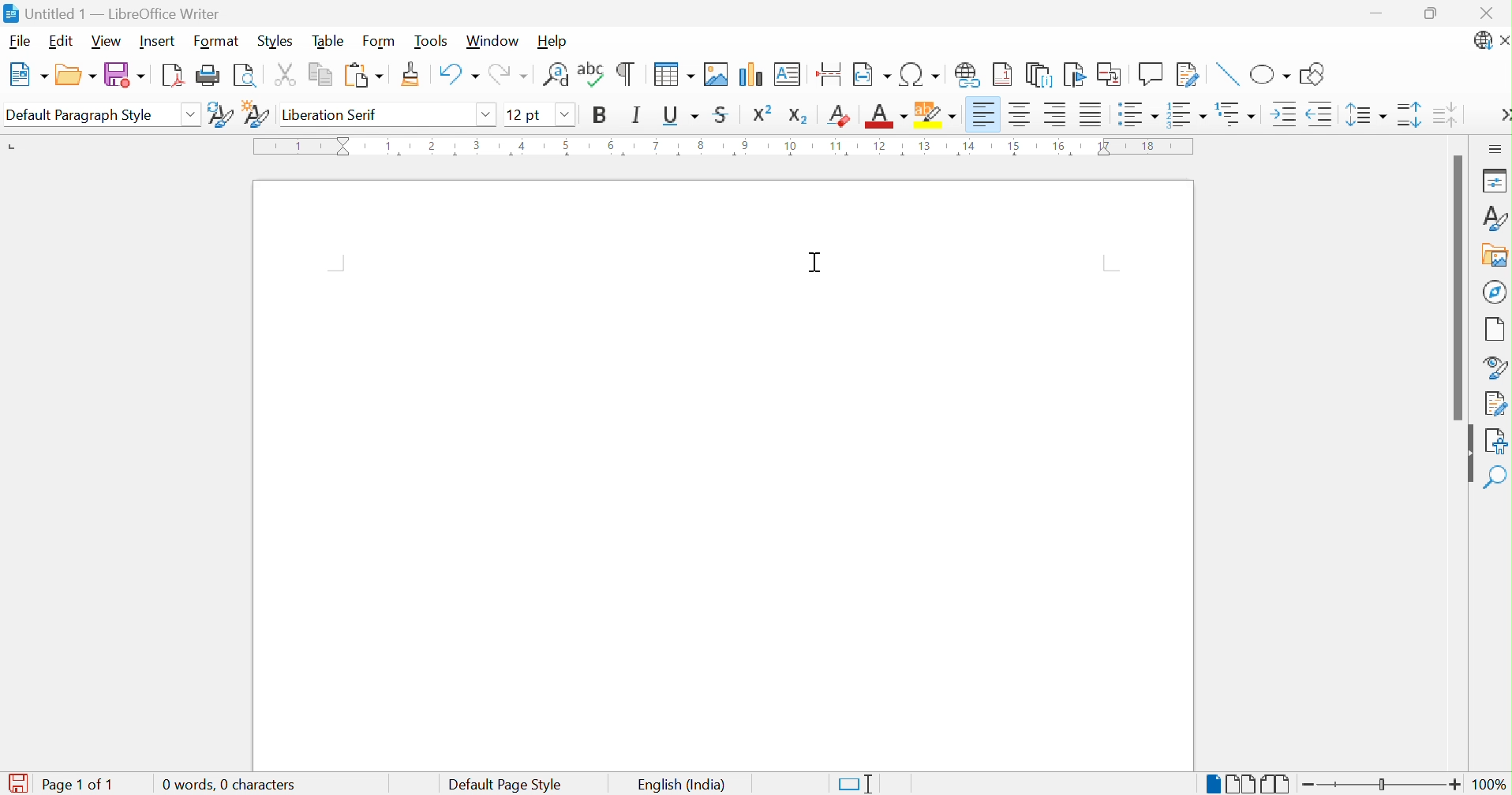 Image resolution: width=1512 pixels, height=795 pixels. Describe the element at coordinates (111, 13) in the screenshot. I see `Untitled 1 - LibreOffice Writer` at that location.